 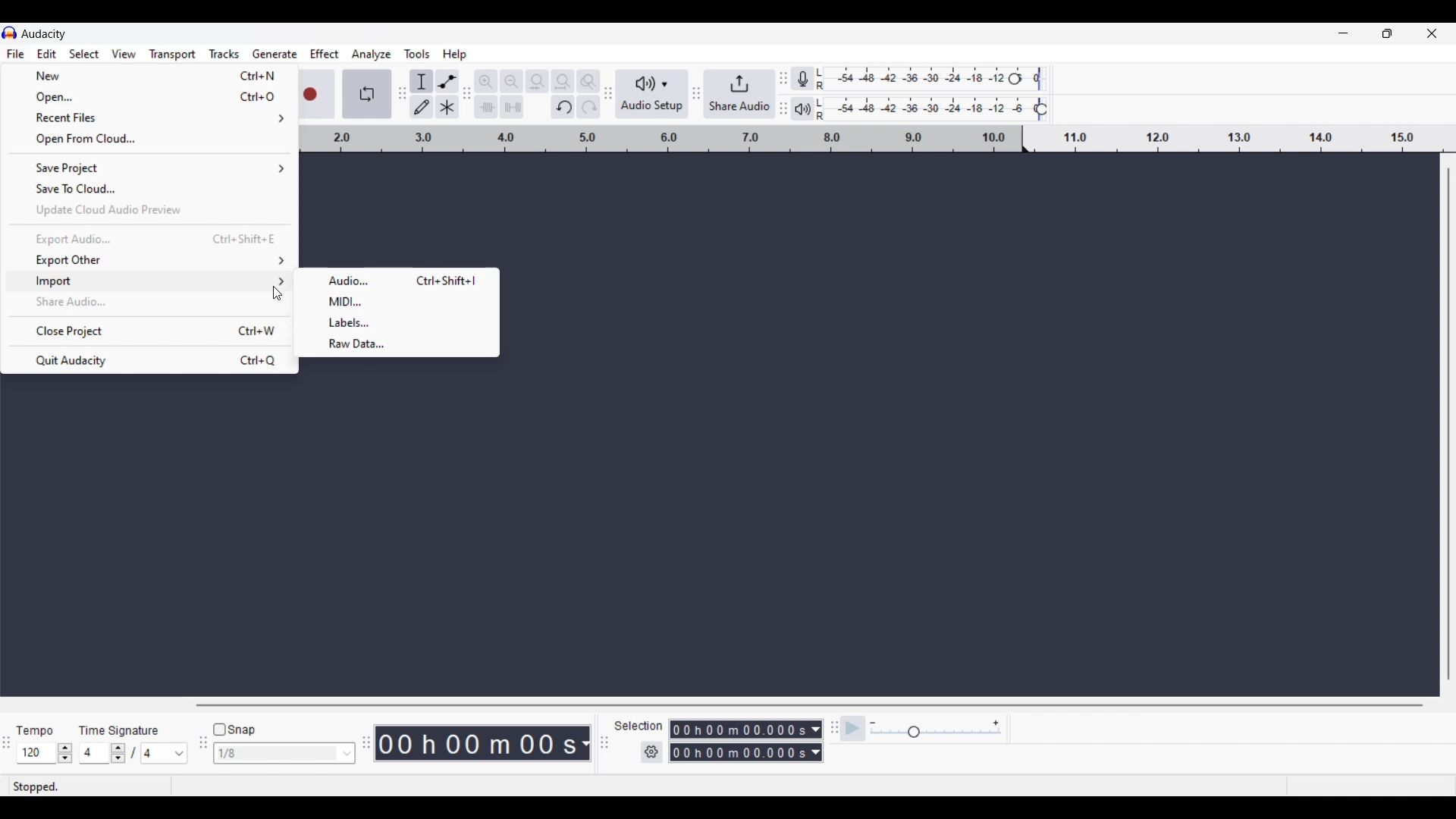 I want to click on Tools menu, so click(x=418, y=55).